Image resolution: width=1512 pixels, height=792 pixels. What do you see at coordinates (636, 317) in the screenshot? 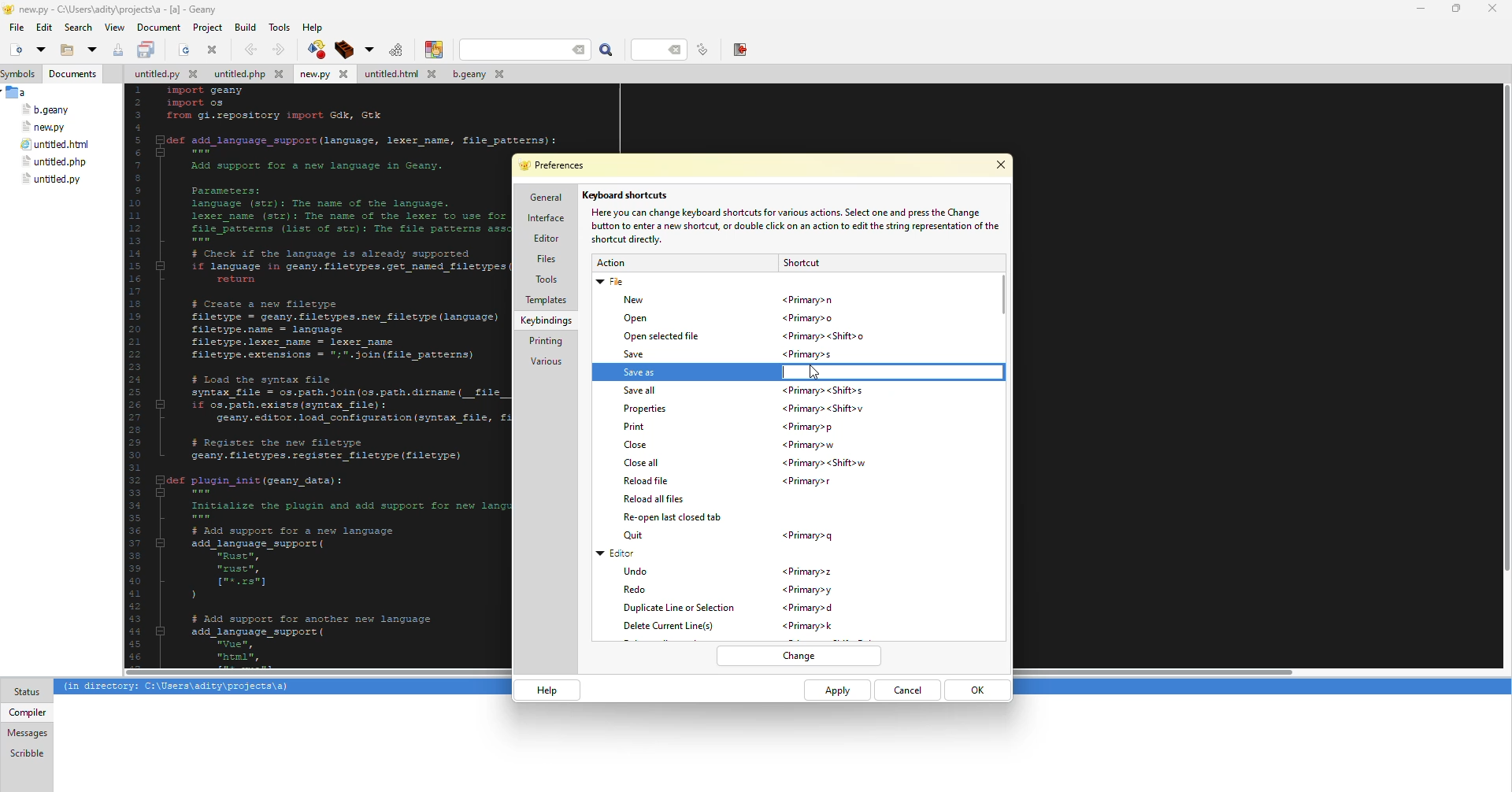
I see `open` at bounding box center [636, 317].